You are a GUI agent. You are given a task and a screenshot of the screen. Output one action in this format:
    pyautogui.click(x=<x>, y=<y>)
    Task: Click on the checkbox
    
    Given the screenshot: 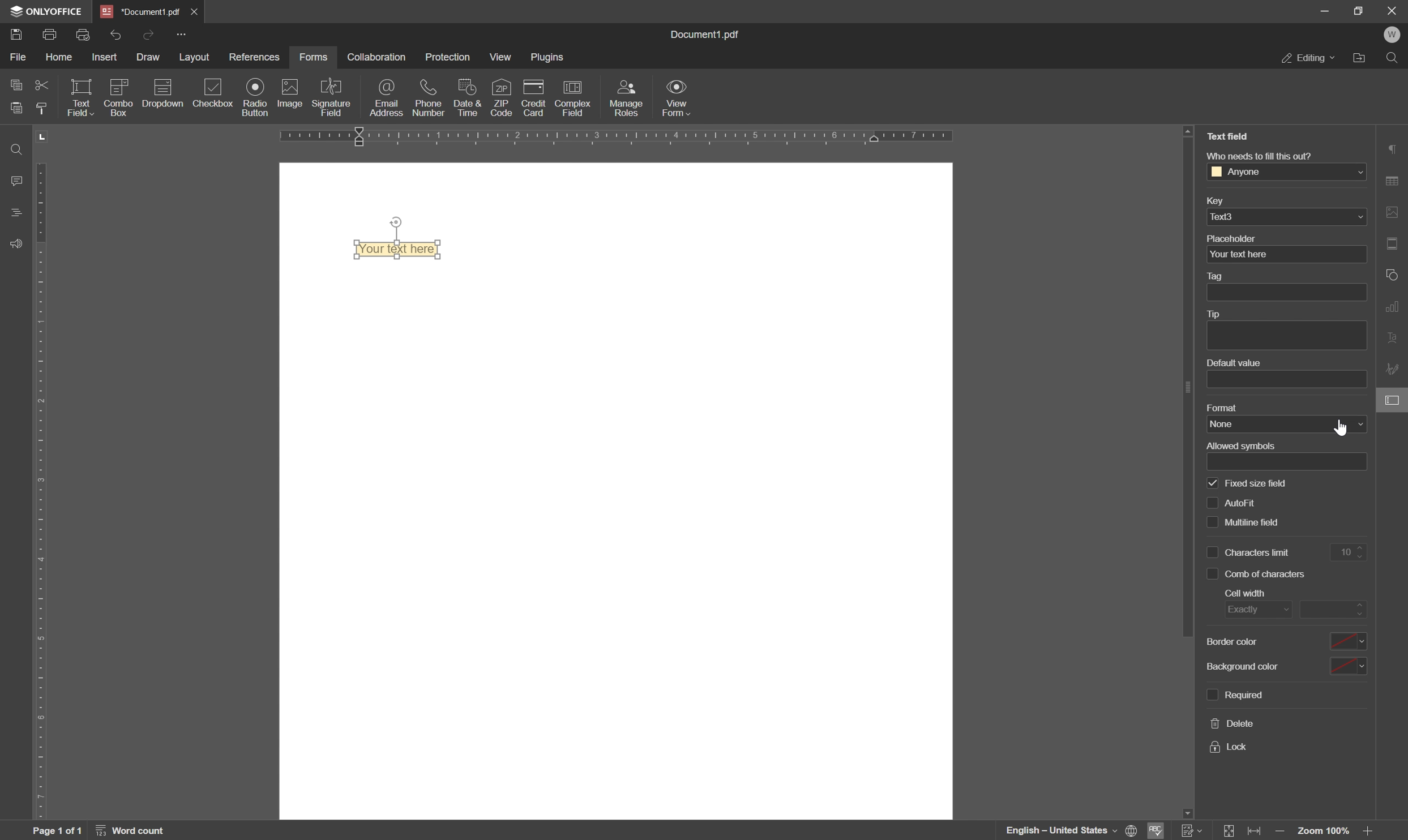 What is the action you would take?
    pyautogui.click(x=1212, y=502)
    